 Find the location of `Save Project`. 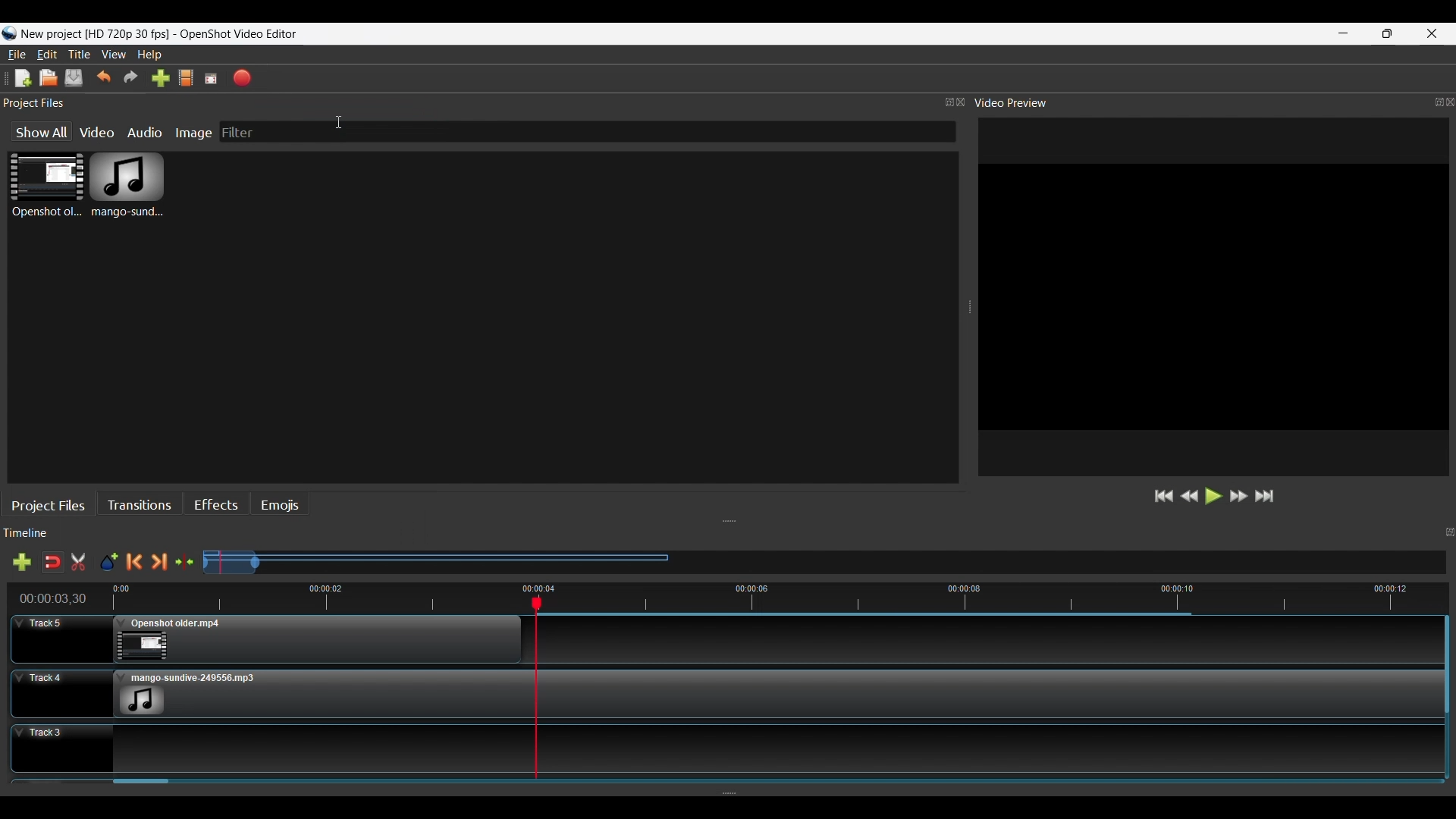

Save Project is located at coordinates (74, 78).